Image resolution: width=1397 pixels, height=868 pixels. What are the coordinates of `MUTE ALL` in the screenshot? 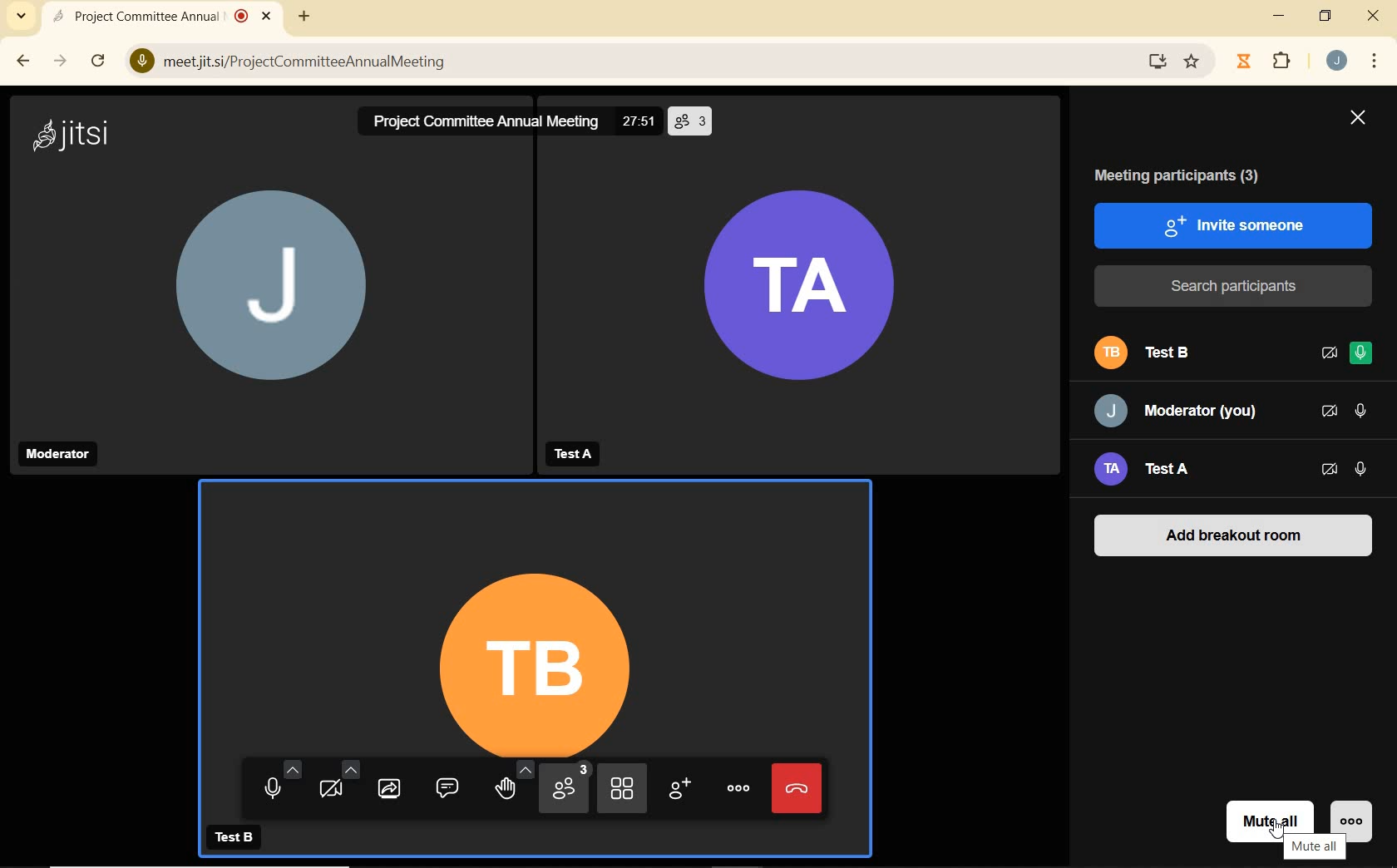 It's located at (1270, 814).